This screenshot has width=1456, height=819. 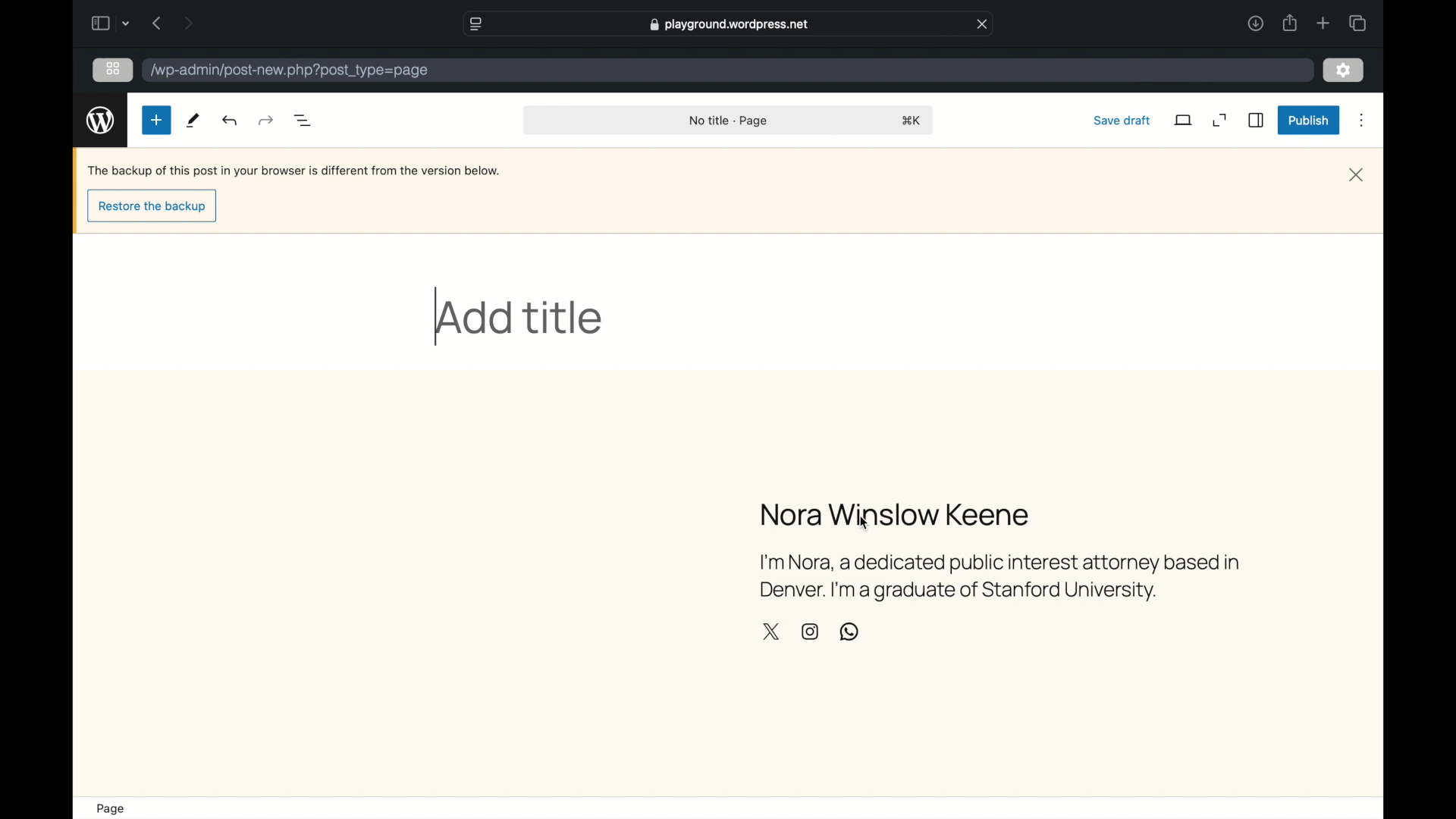 I want to click on page, so click(x=112, y=809).